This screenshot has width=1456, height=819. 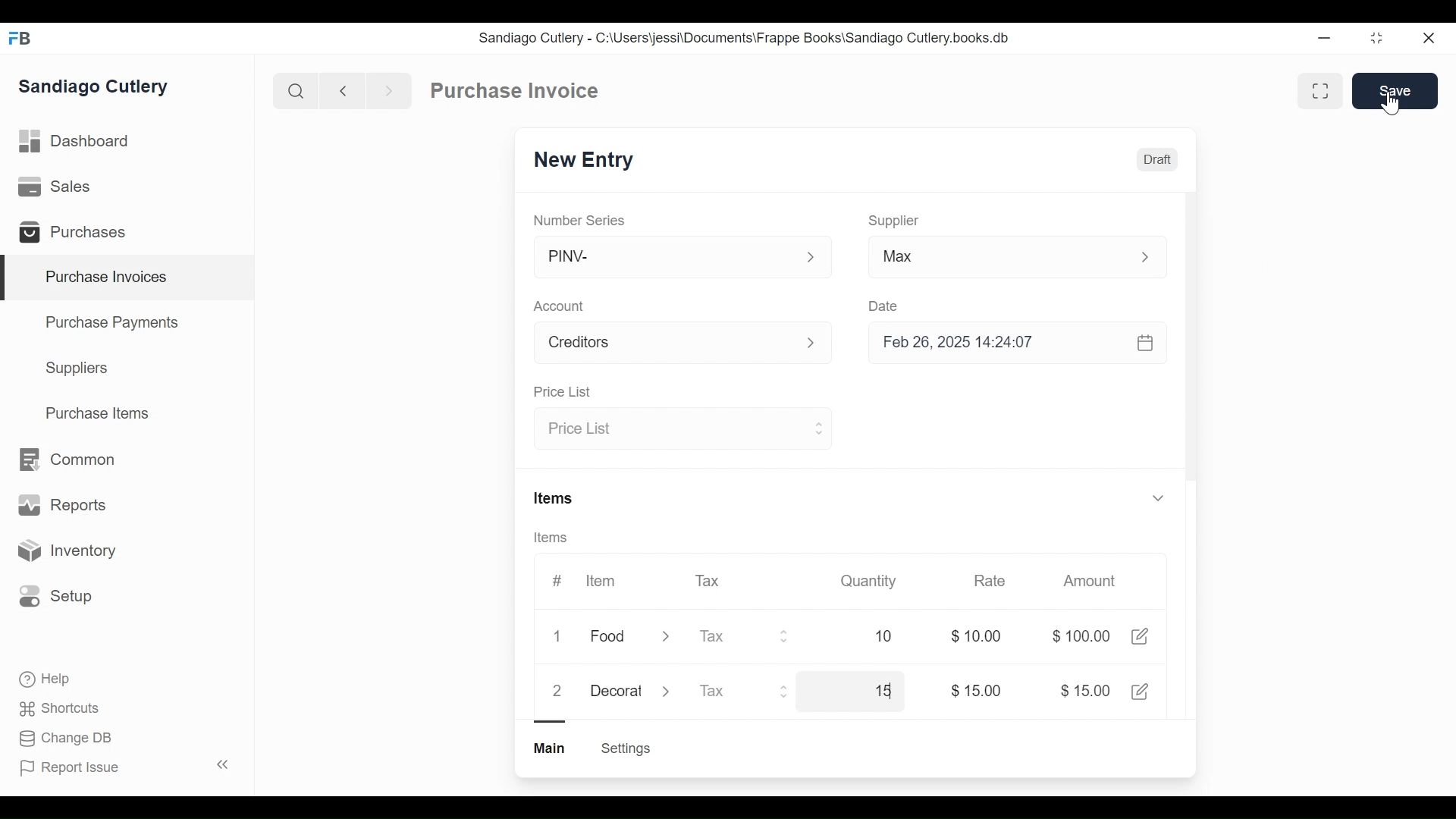 I want to click on 15, so click(x=862, y=690).